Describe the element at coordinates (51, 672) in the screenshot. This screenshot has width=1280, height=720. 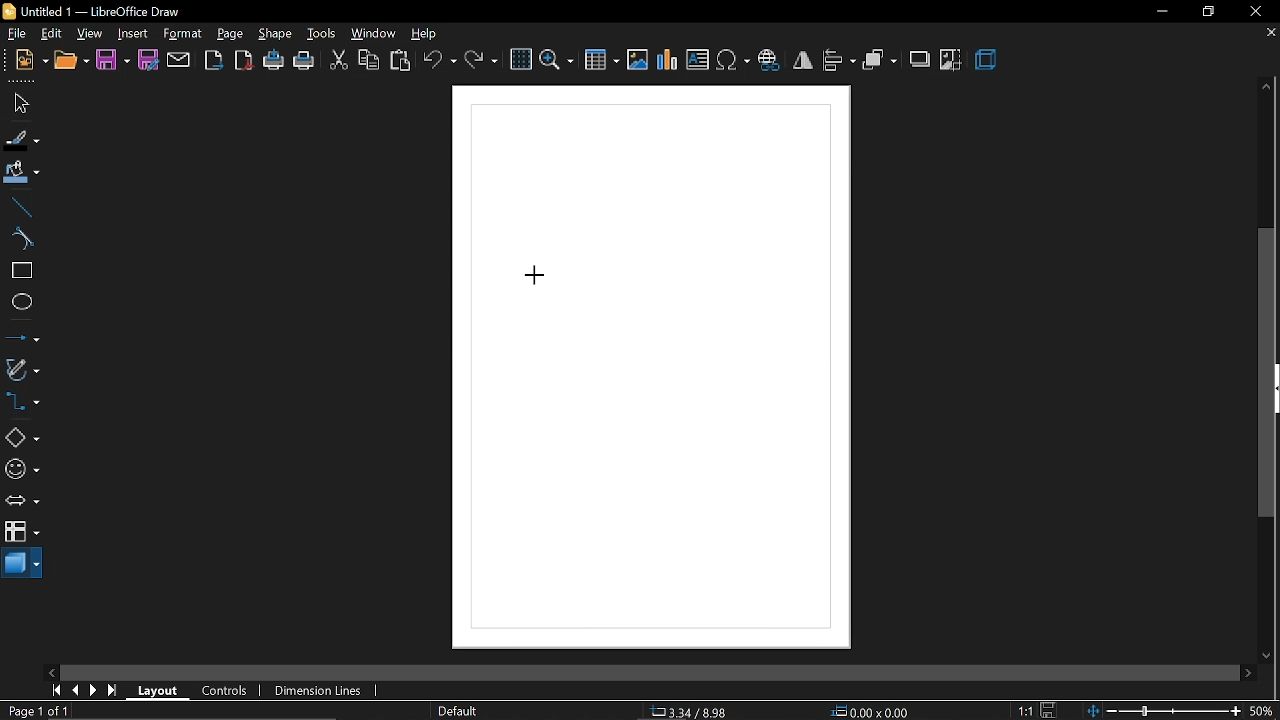
I see `move left` at that location.